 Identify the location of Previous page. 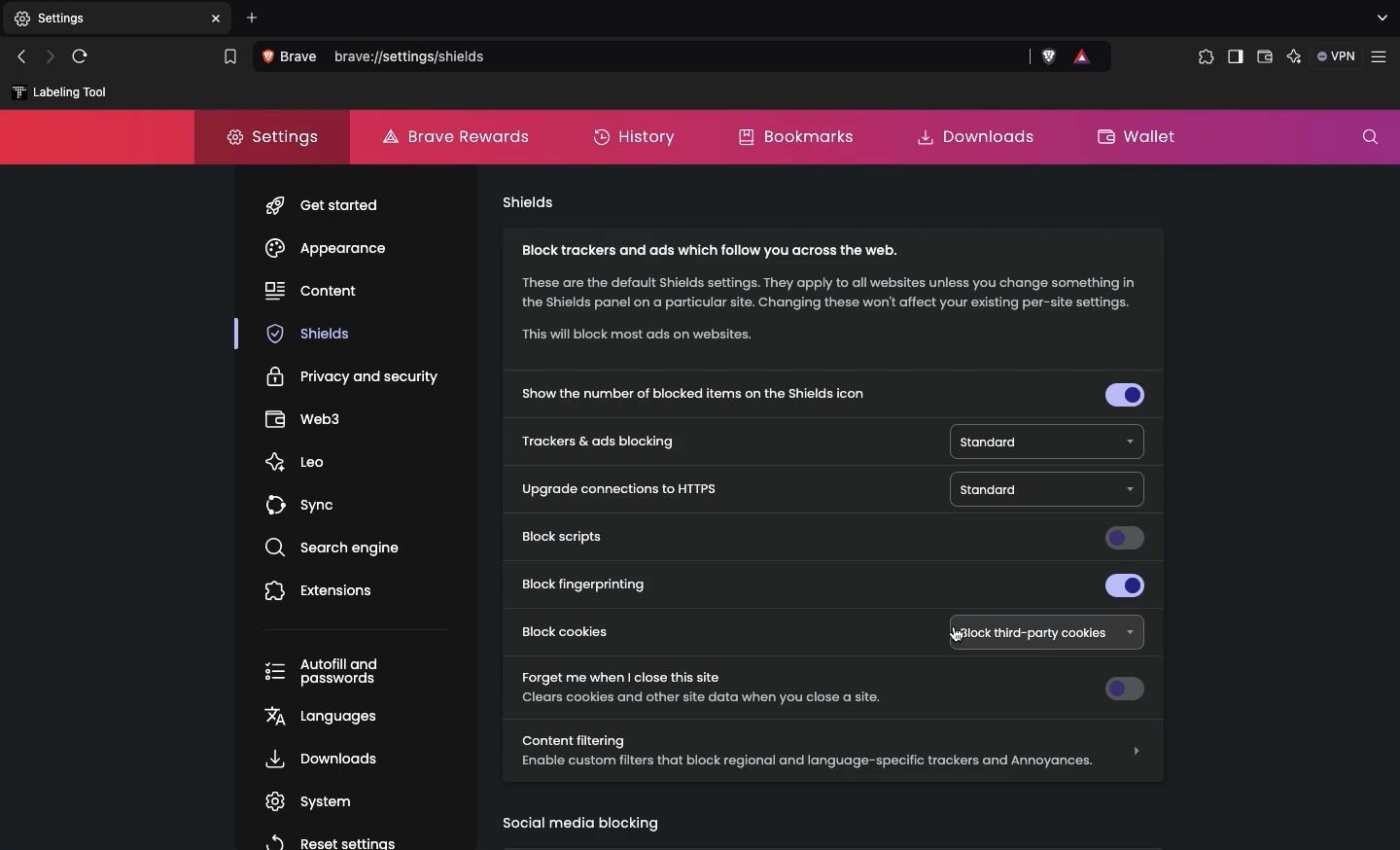
(24, 58).